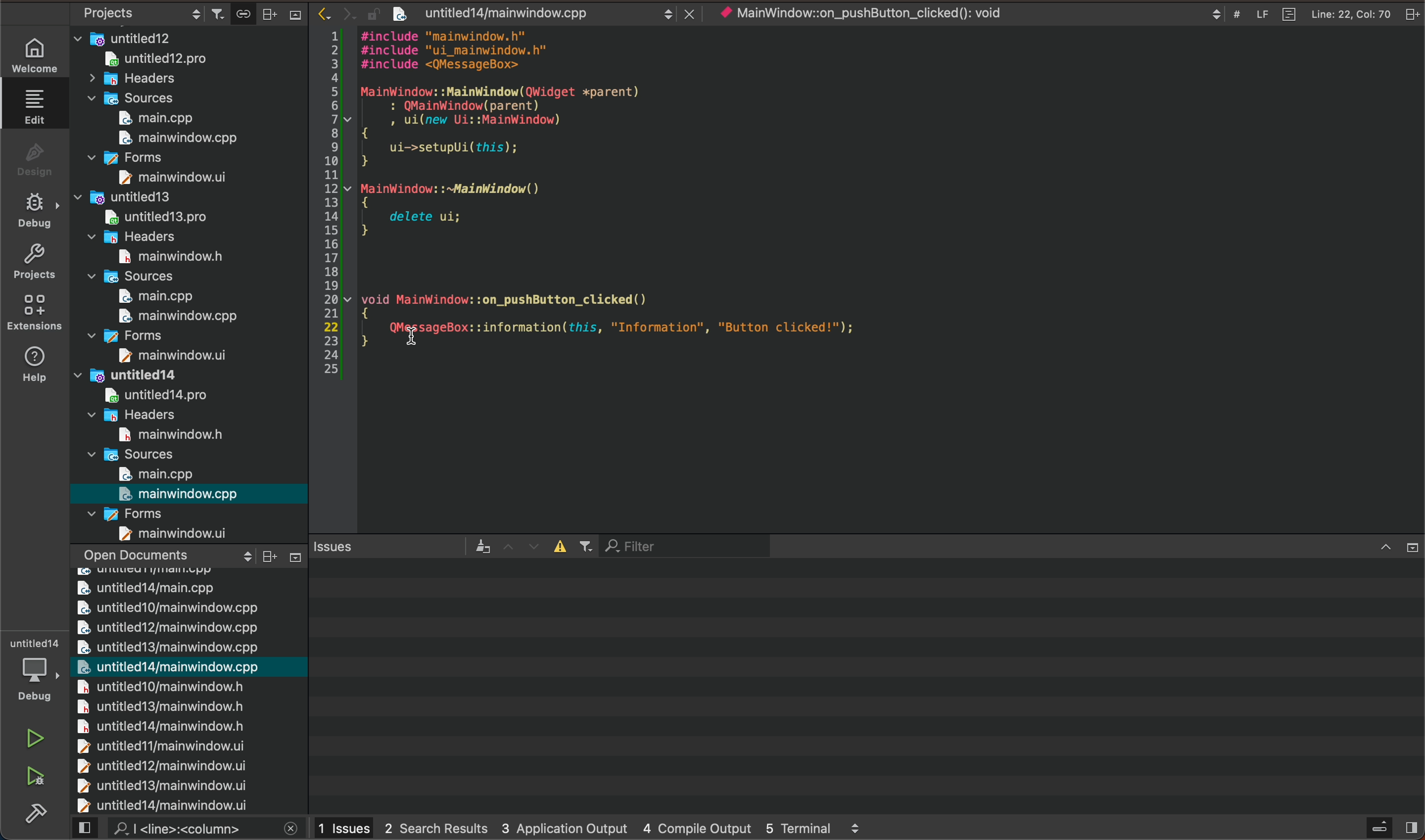 The height and width of the screenshot is (840, 1425). I want to click on untitled14, so click(148, 374).